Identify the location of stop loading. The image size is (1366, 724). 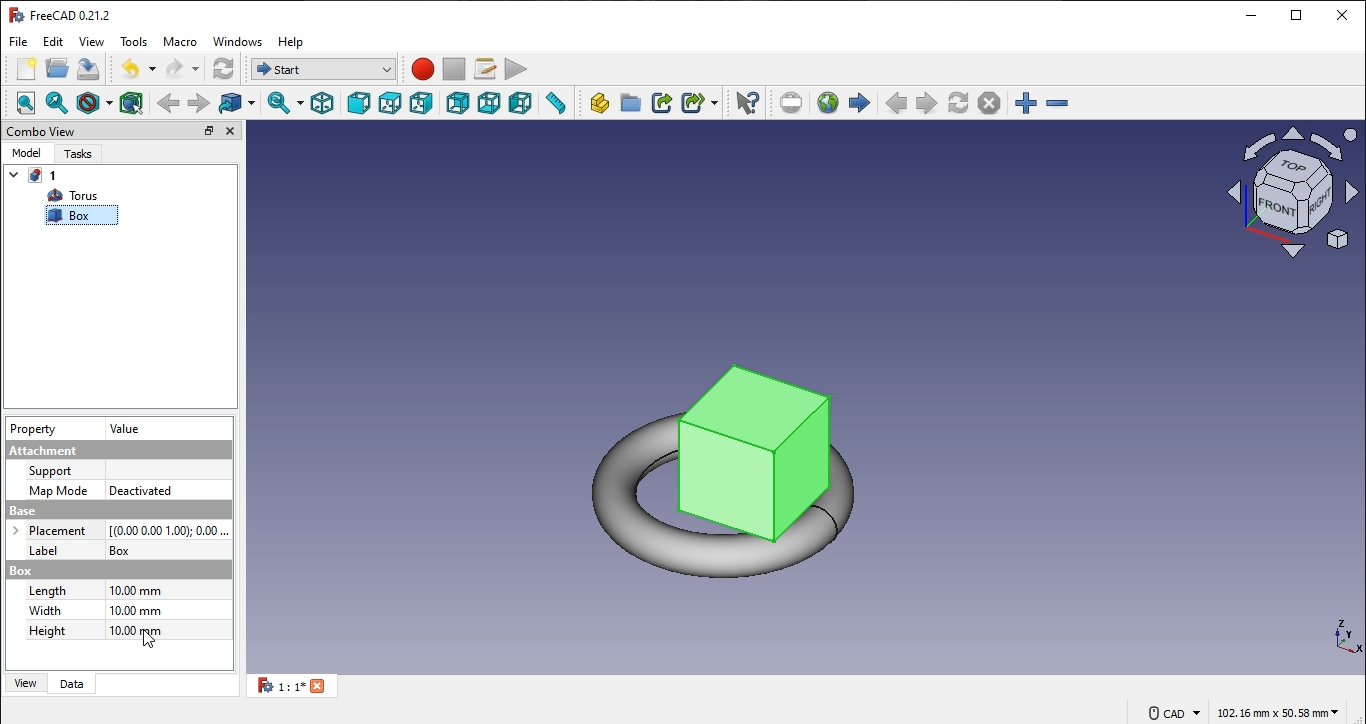
(990, 103).